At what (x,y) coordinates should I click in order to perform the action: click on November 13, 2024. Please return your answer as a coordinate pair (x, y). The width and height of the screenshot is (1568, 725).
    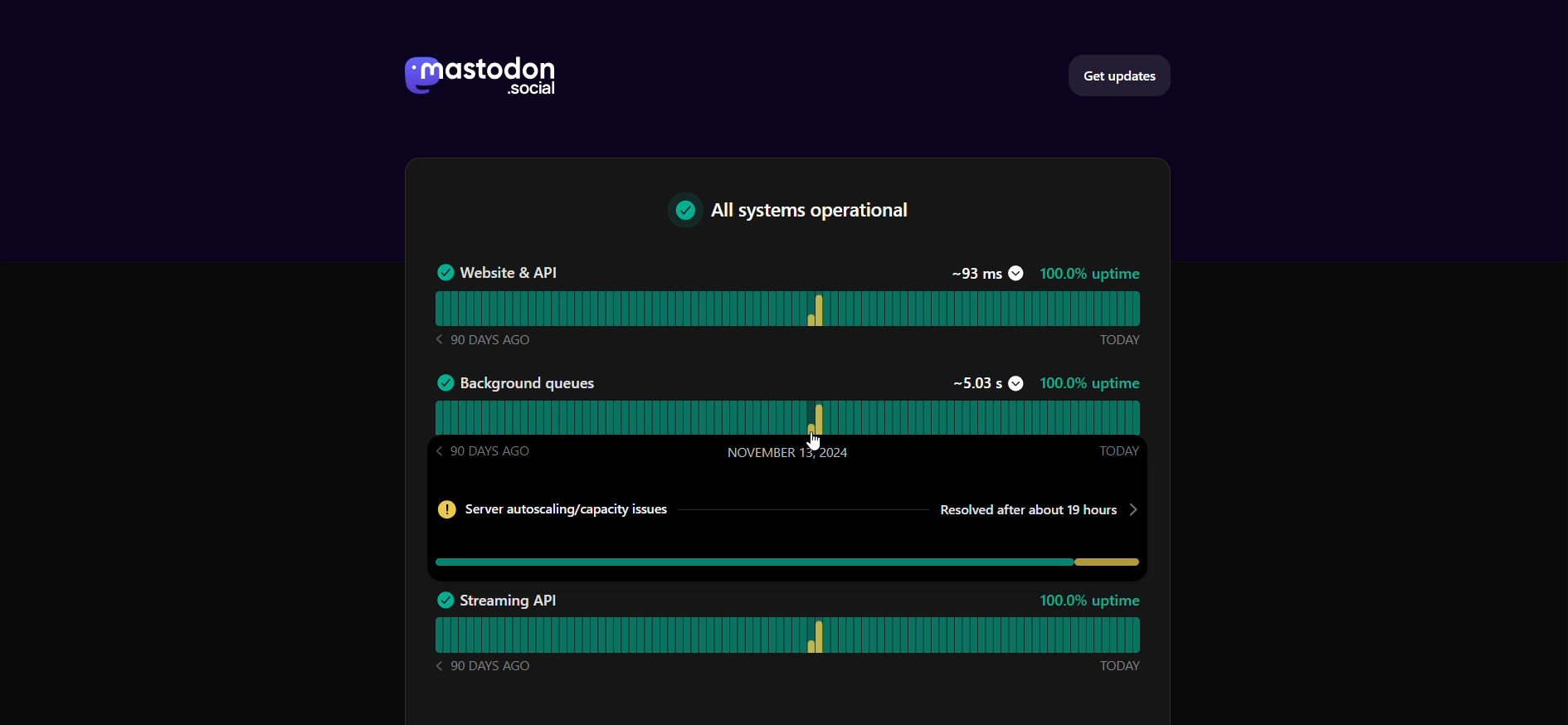
    Looking at the image, I should click on (787, 452).